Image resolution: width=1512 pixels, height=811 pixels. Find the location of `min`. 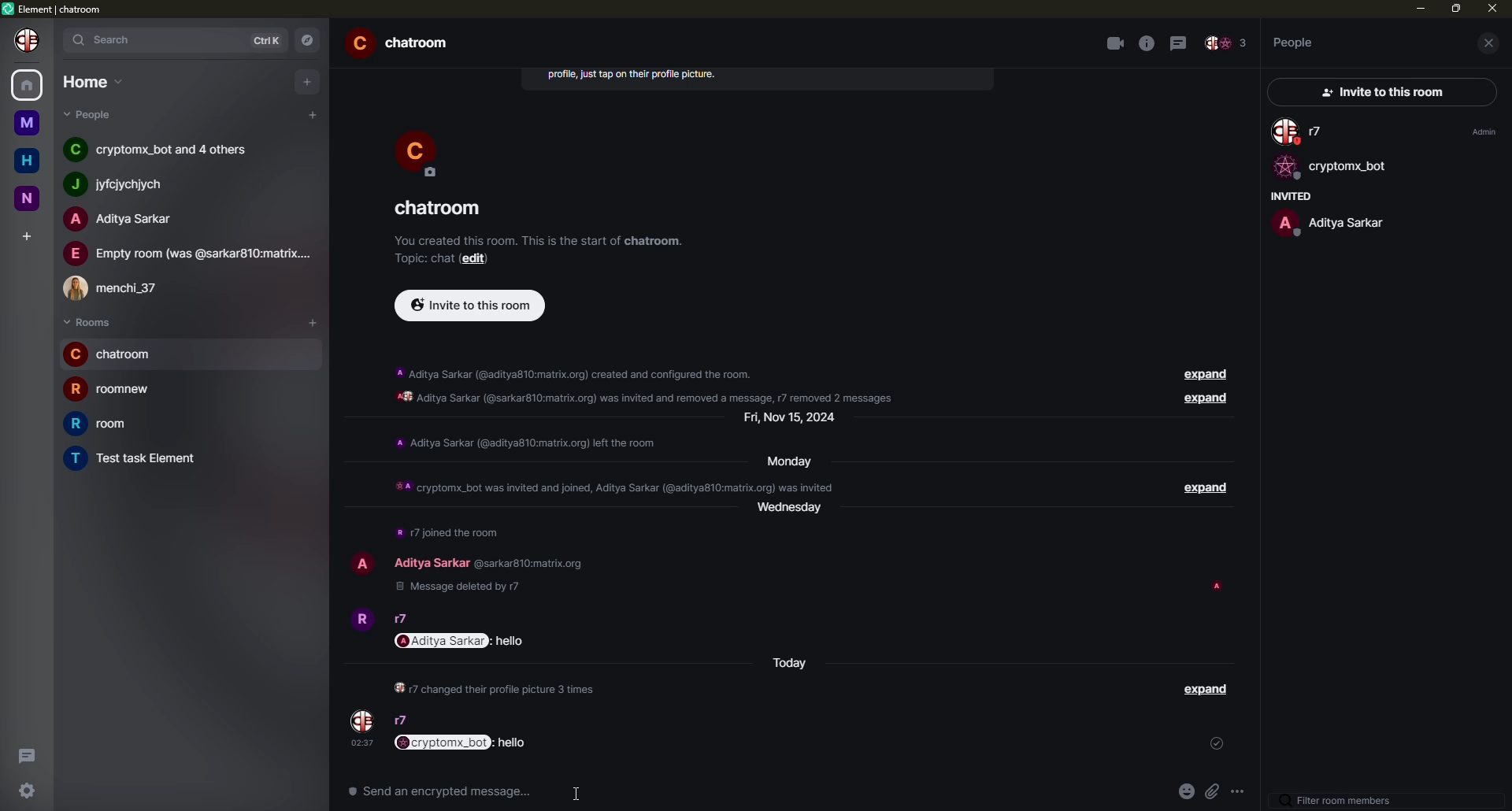

min is located at coordinates (1418, 8).